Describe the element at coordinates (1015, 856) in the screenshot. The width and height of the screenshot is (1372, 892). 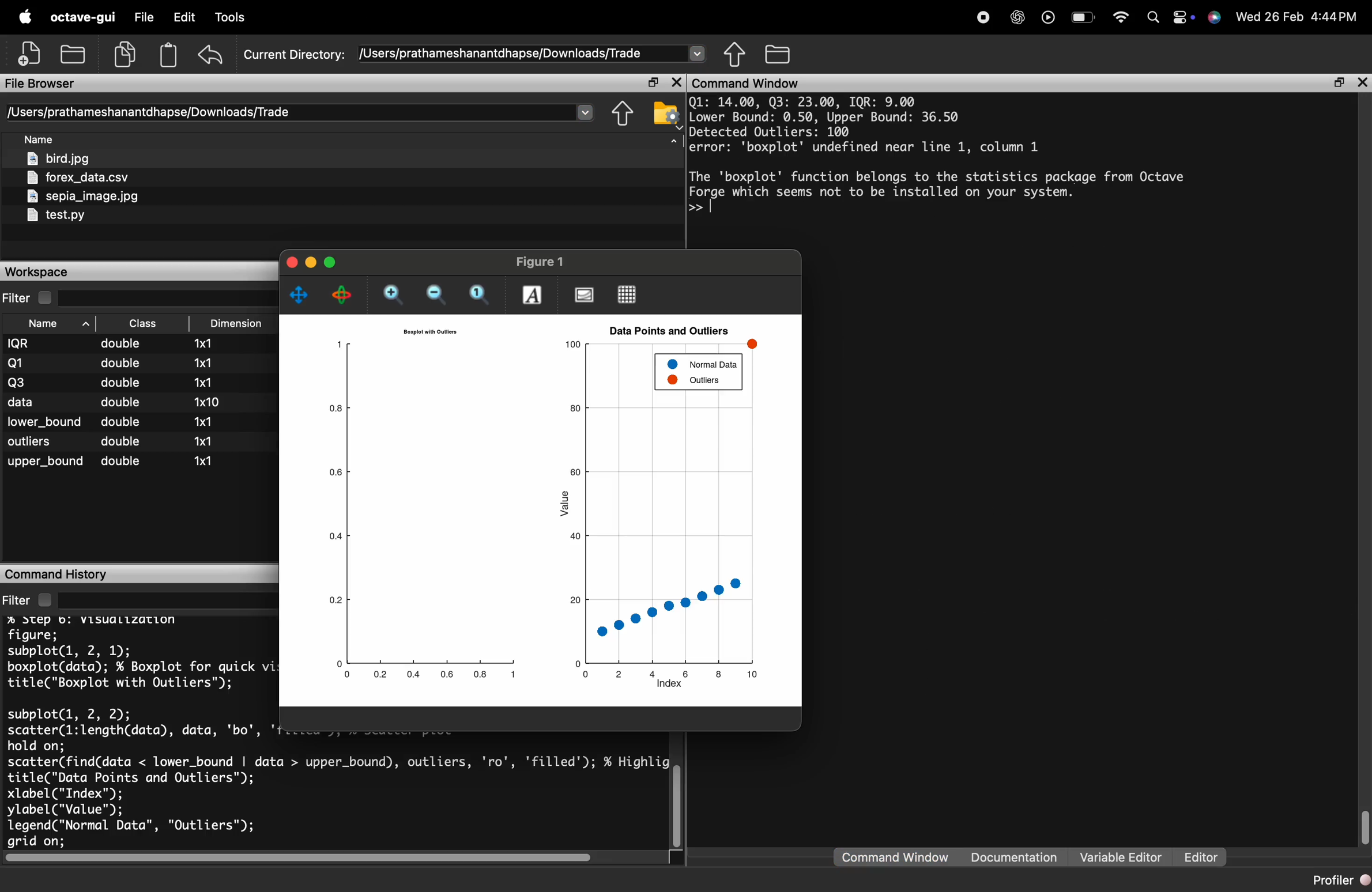
I see `Documentation` at that location.